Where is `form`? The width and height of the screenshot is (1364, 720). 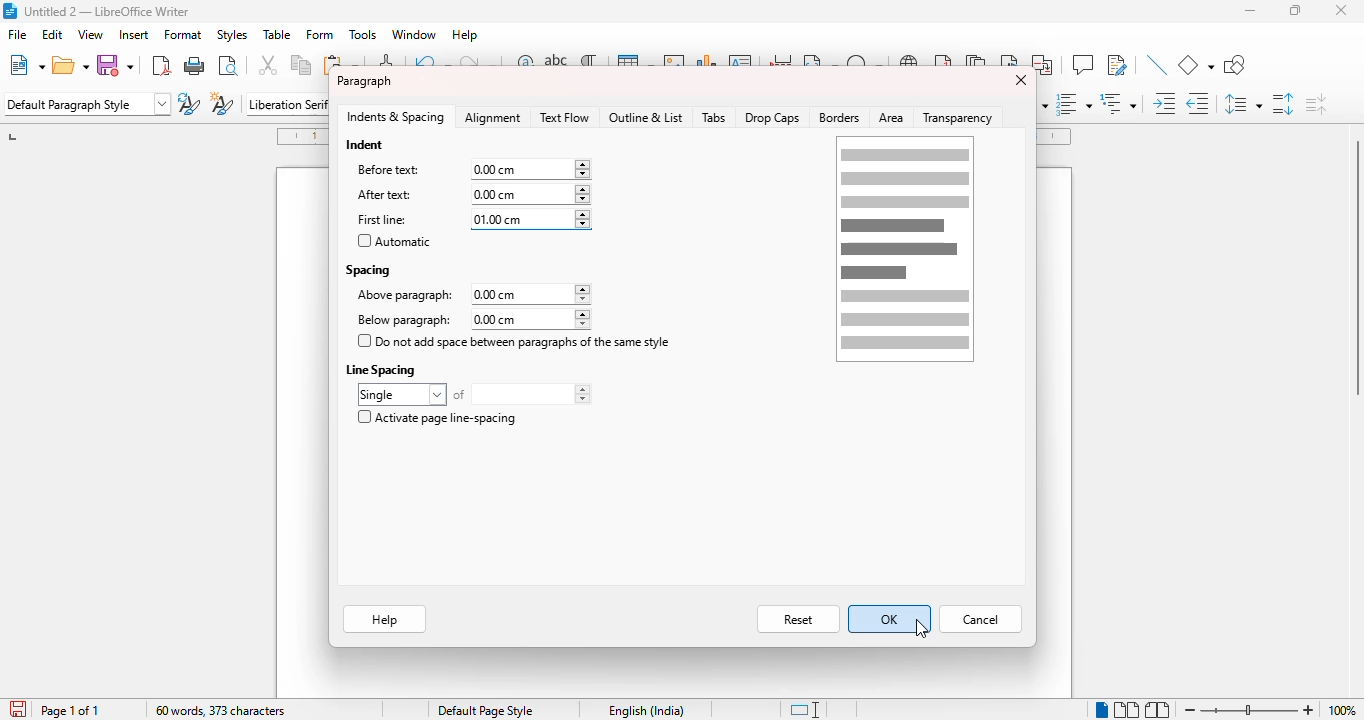 form is located at coordinates (320, 35).